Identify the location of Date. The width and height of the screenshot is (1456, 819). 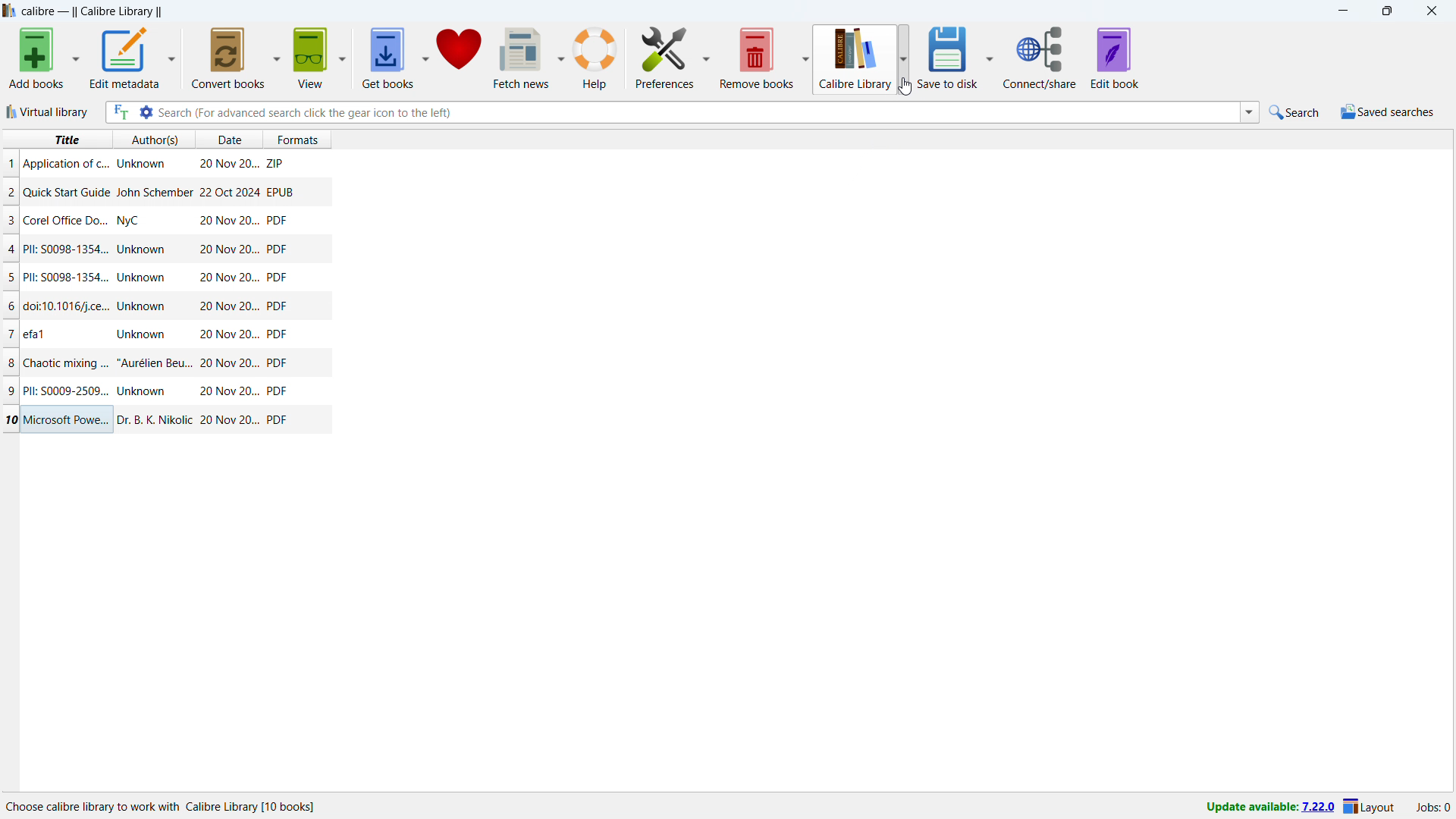
(230, 421).